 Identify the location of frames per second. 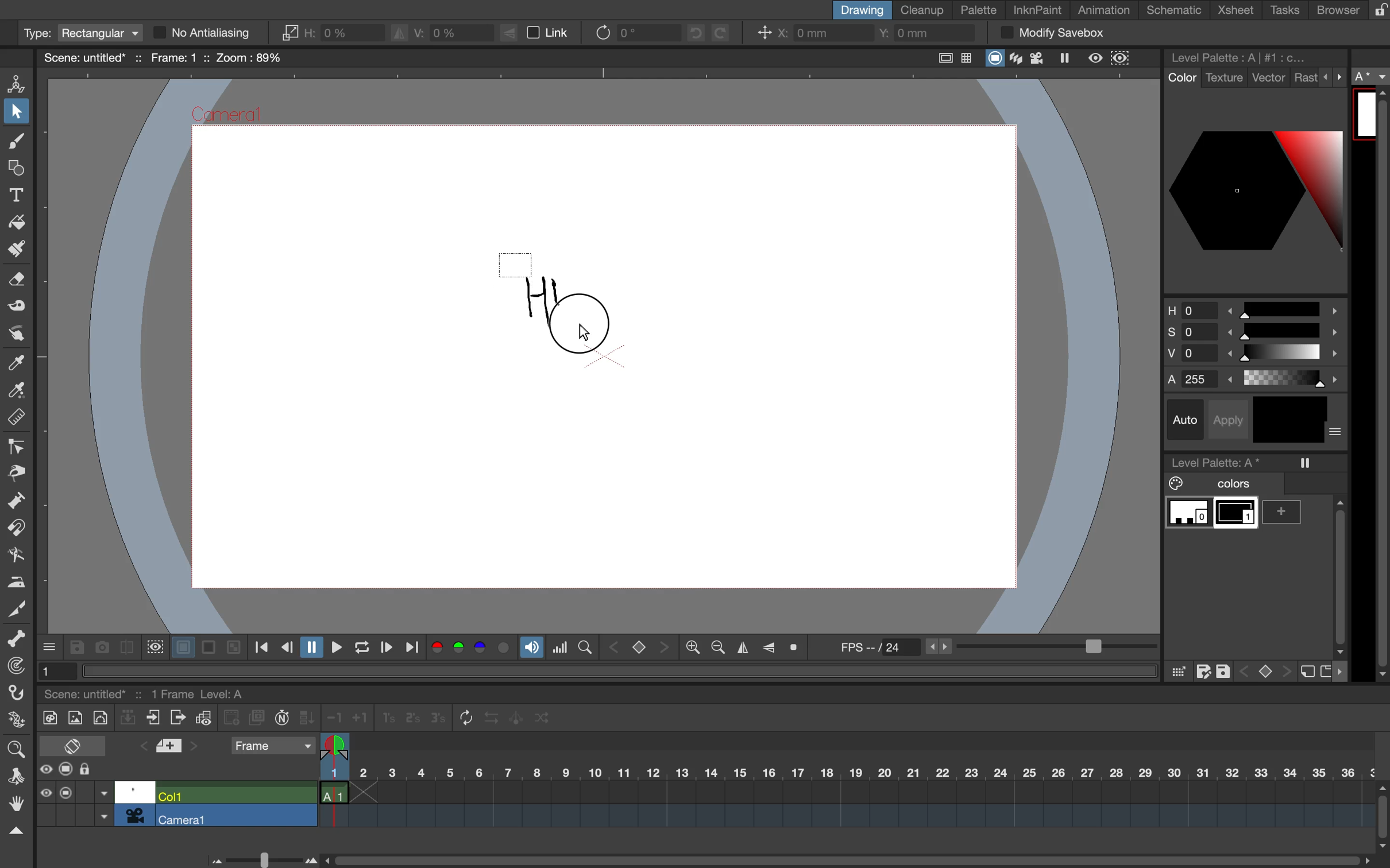
(991, 648).